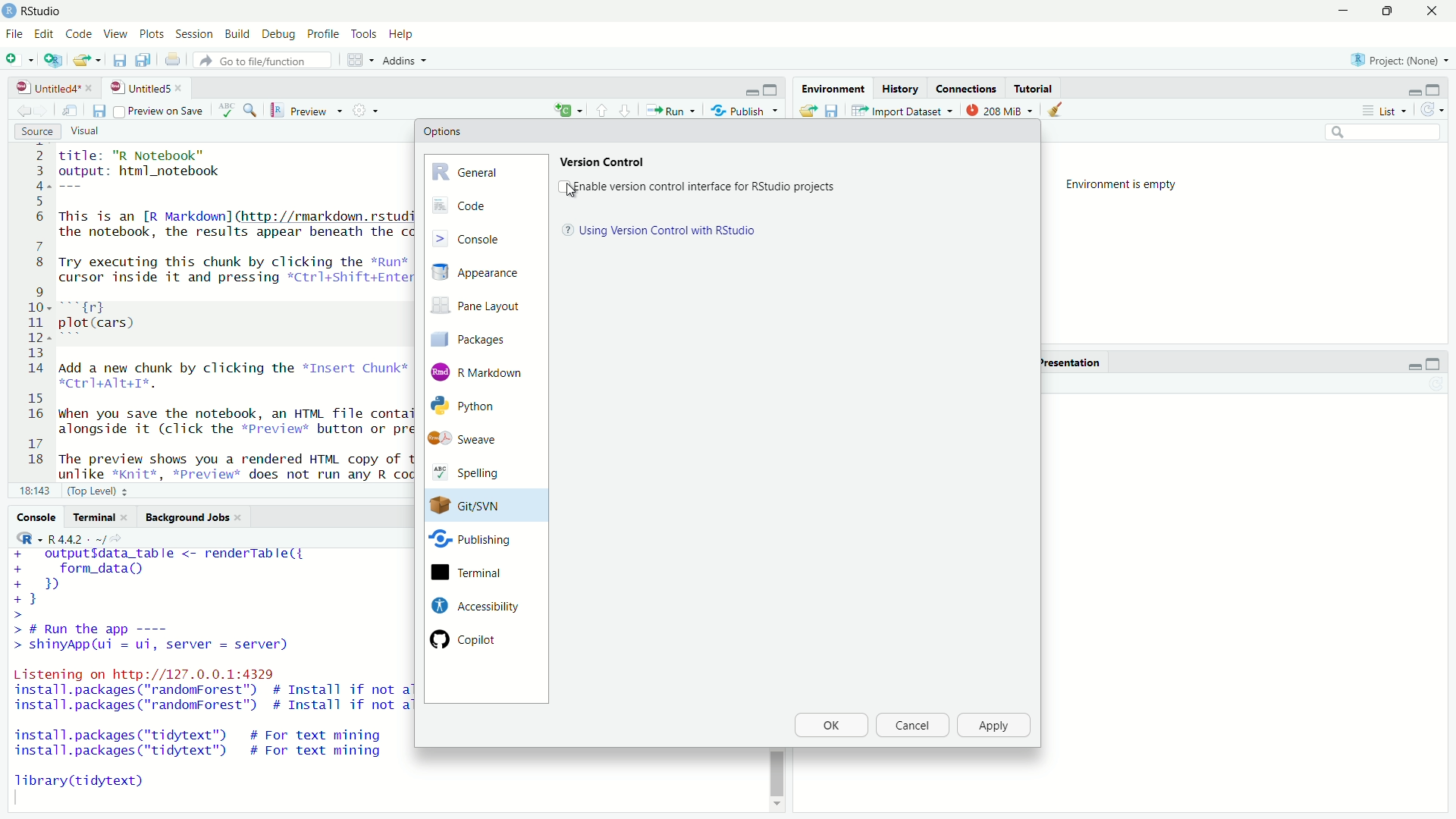  What do you see at coordinates (11, 11) in the screenshot?
I see `logo` at bounding box center [11, 11].